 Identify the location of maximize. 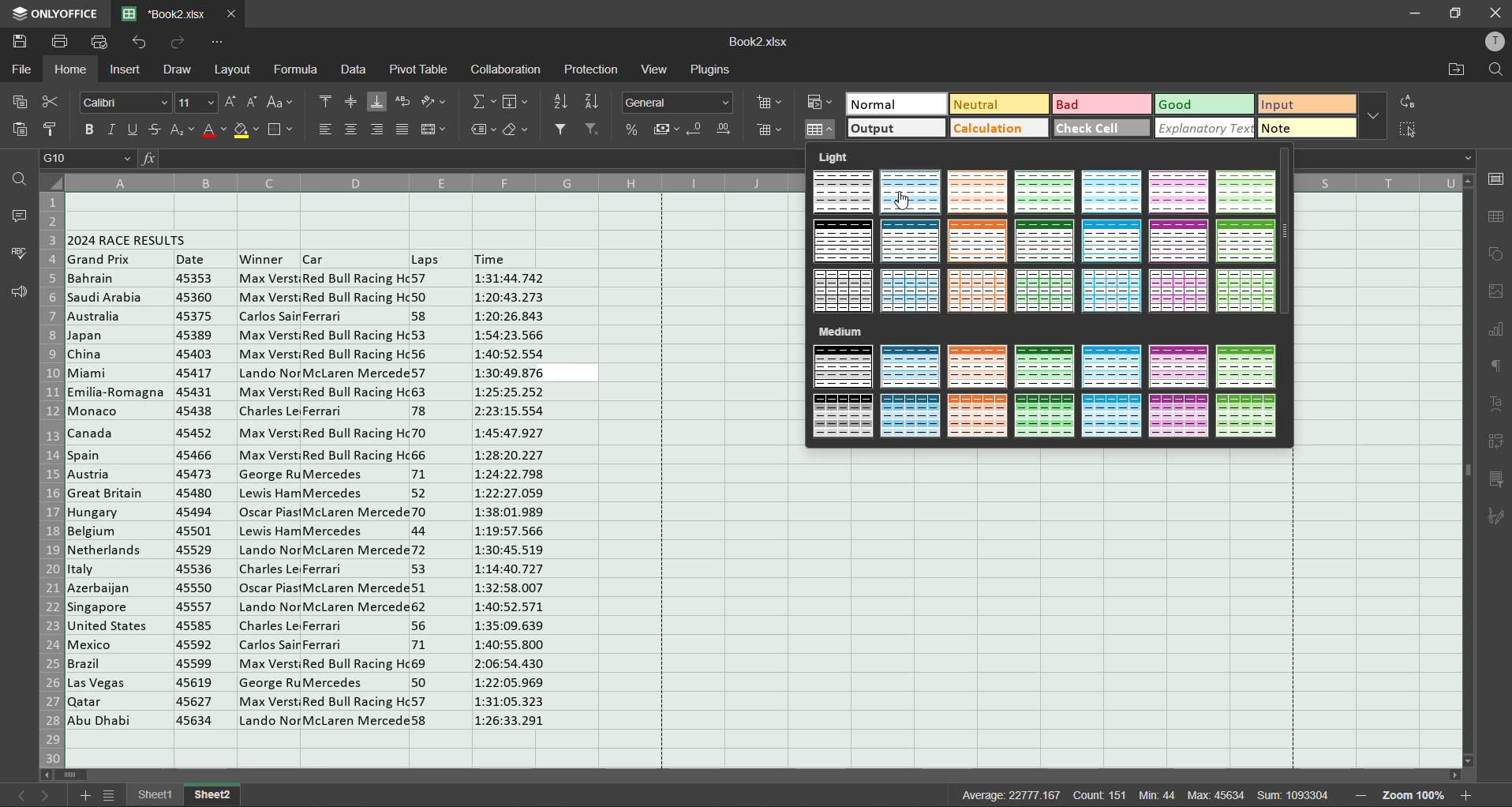
(1458, 12).